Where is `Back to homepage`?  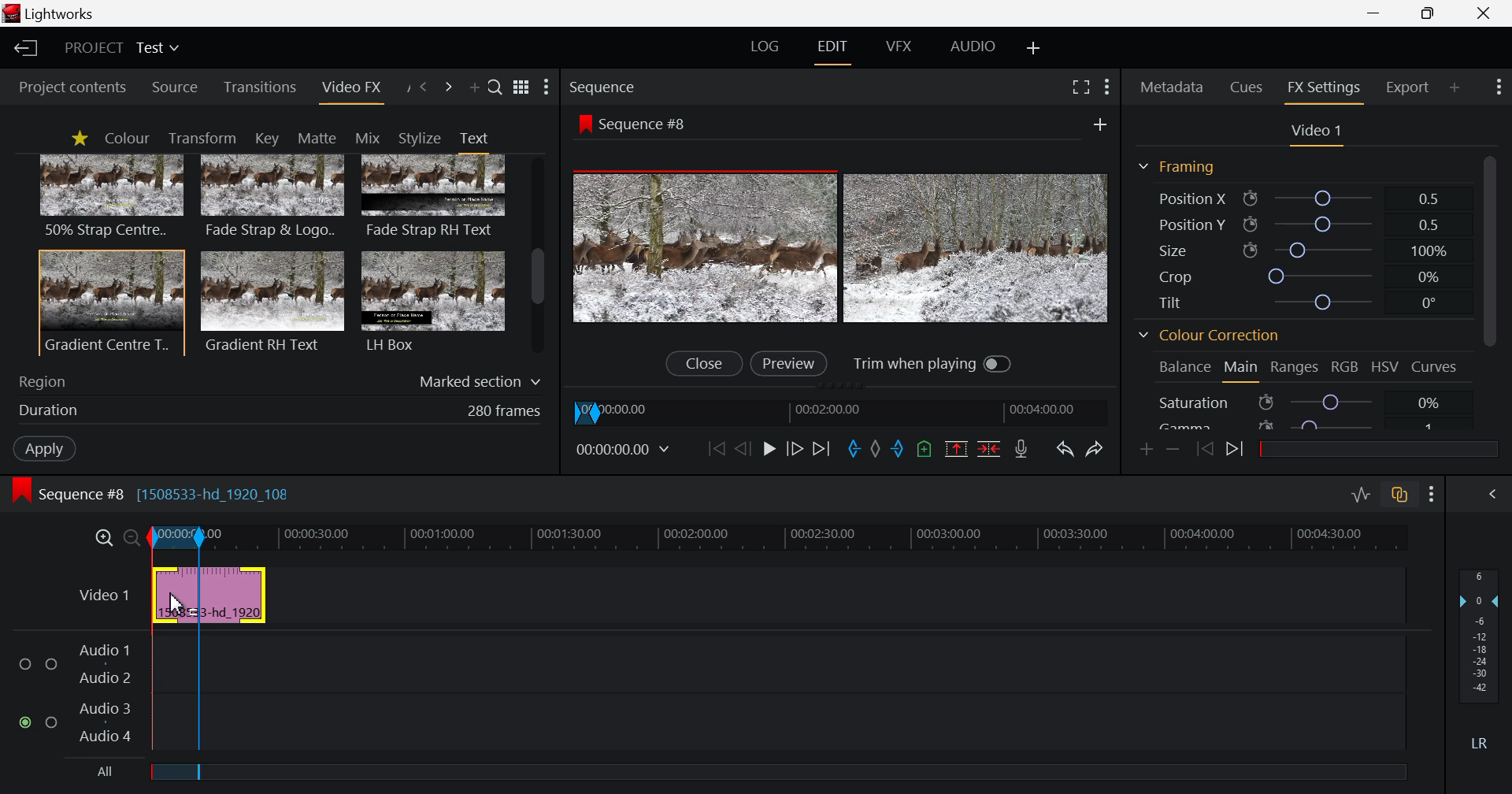
Back to homepage is located at coordinates (23, 48).